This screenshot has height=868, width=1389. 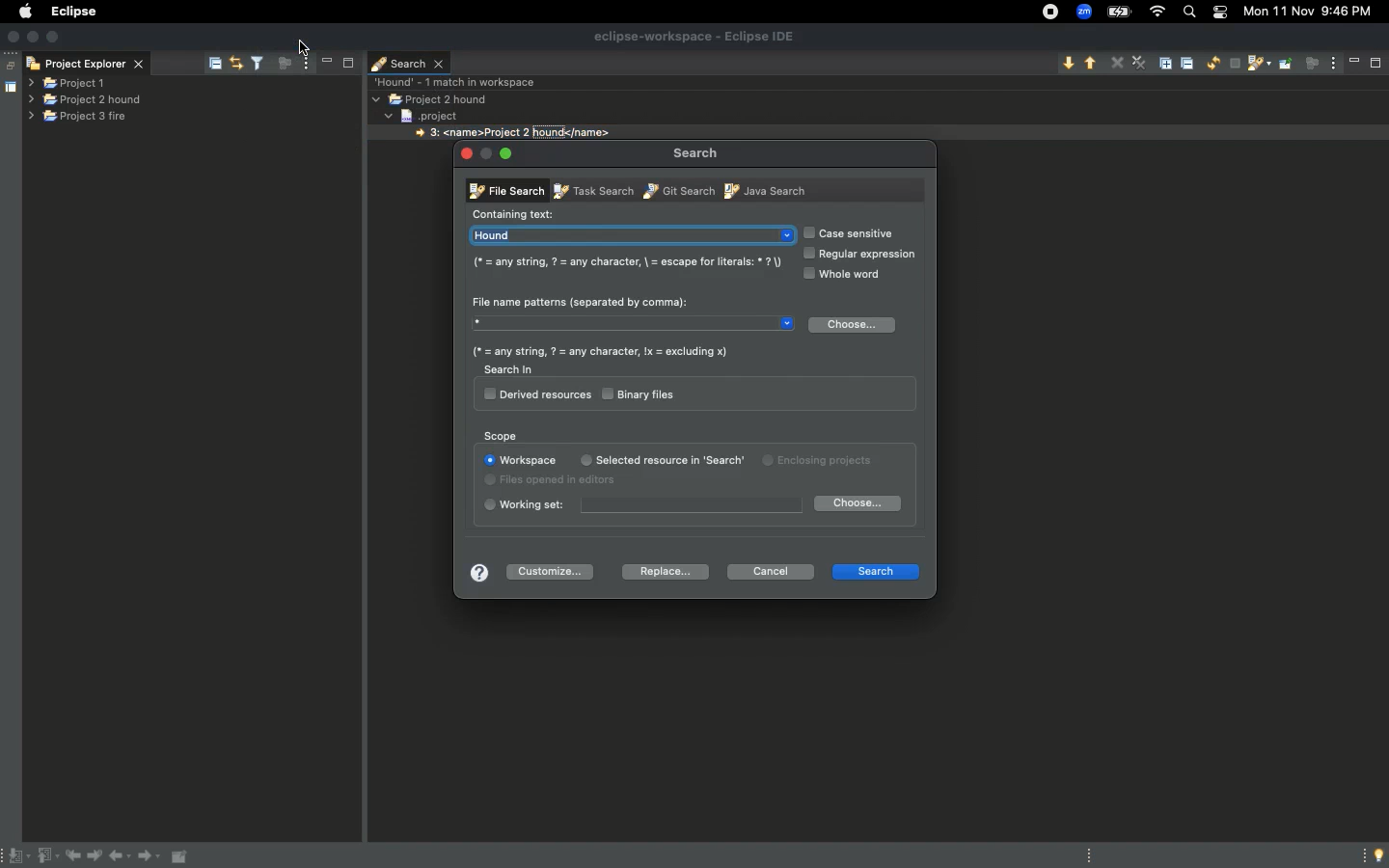 What do you see at coordinates (81, 81) in the screenshot?
I see `project 1` at bounding box center [81, 81].